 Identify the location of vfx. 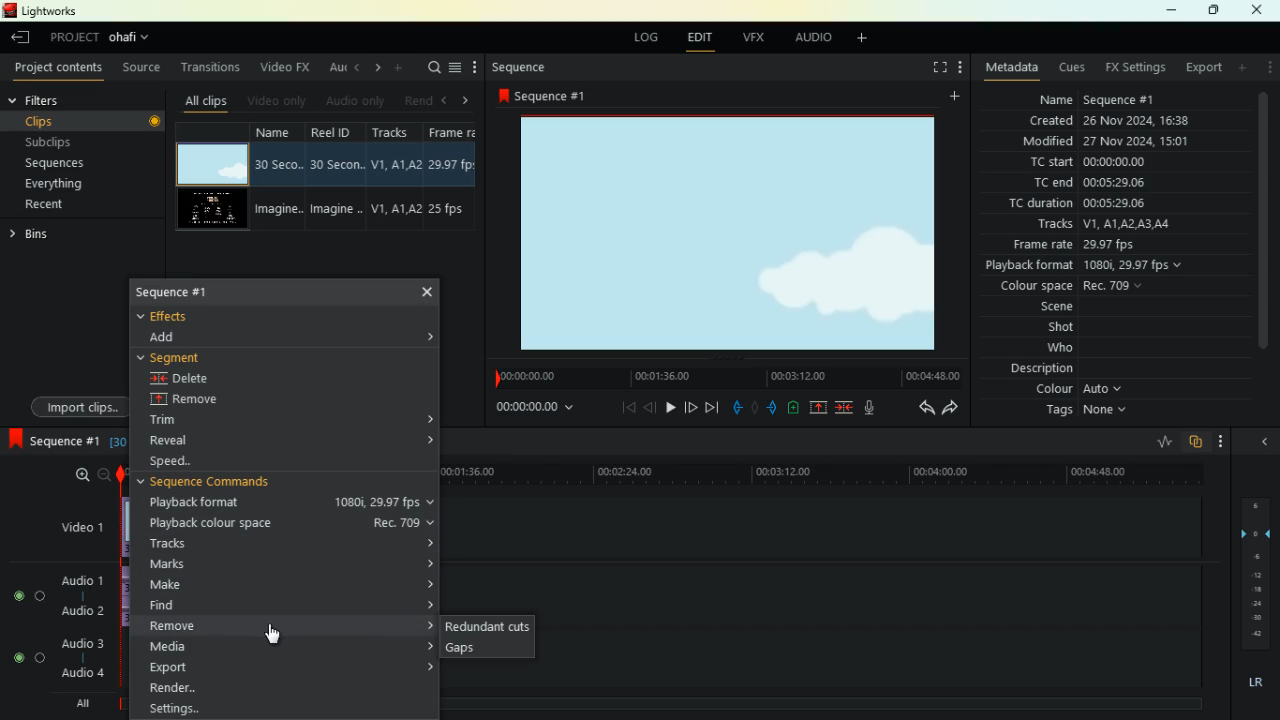
(750, 37).